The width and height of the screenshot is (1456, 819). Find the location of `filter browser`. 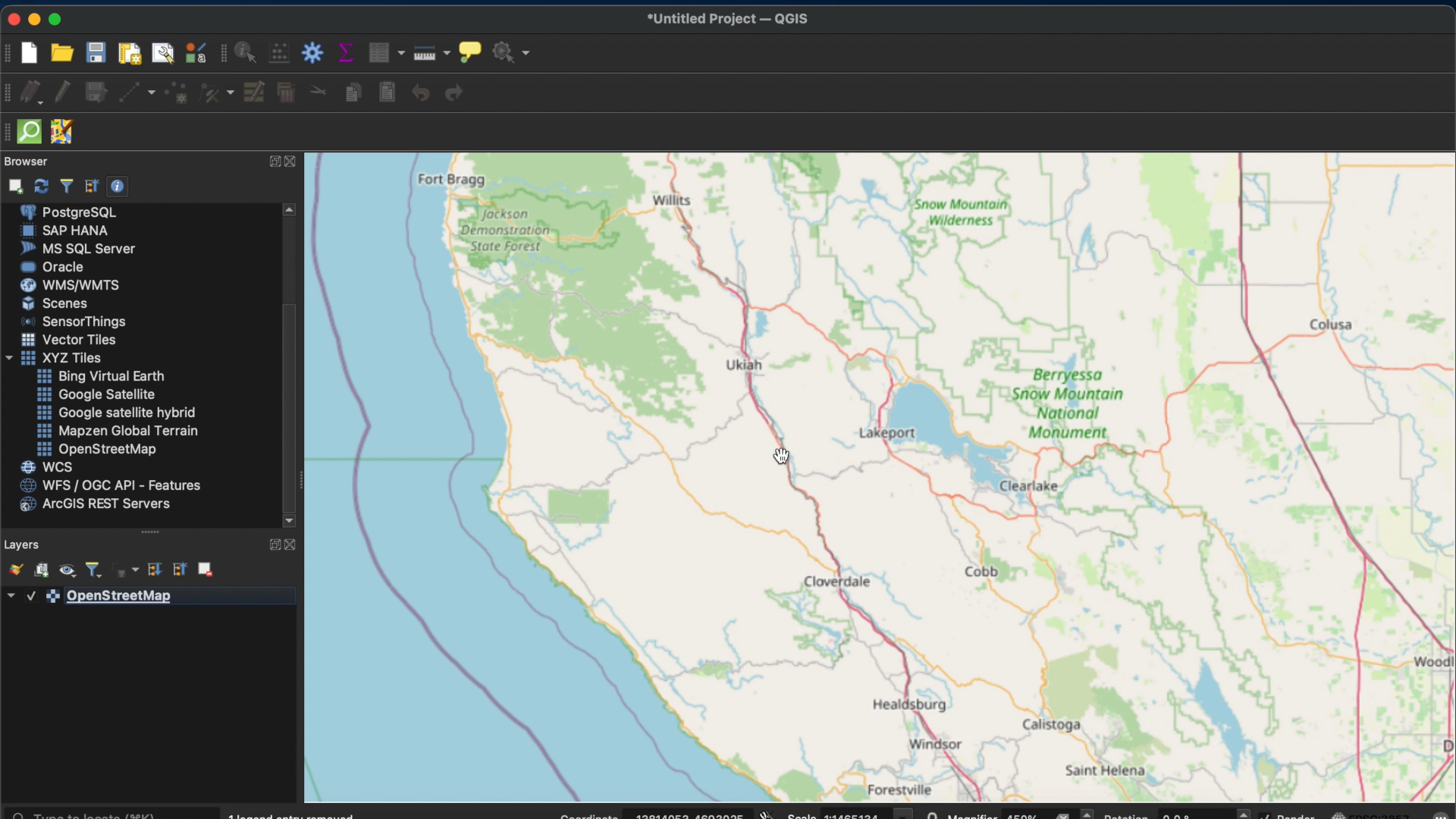

filter browser is located at coordinates (65, 186).